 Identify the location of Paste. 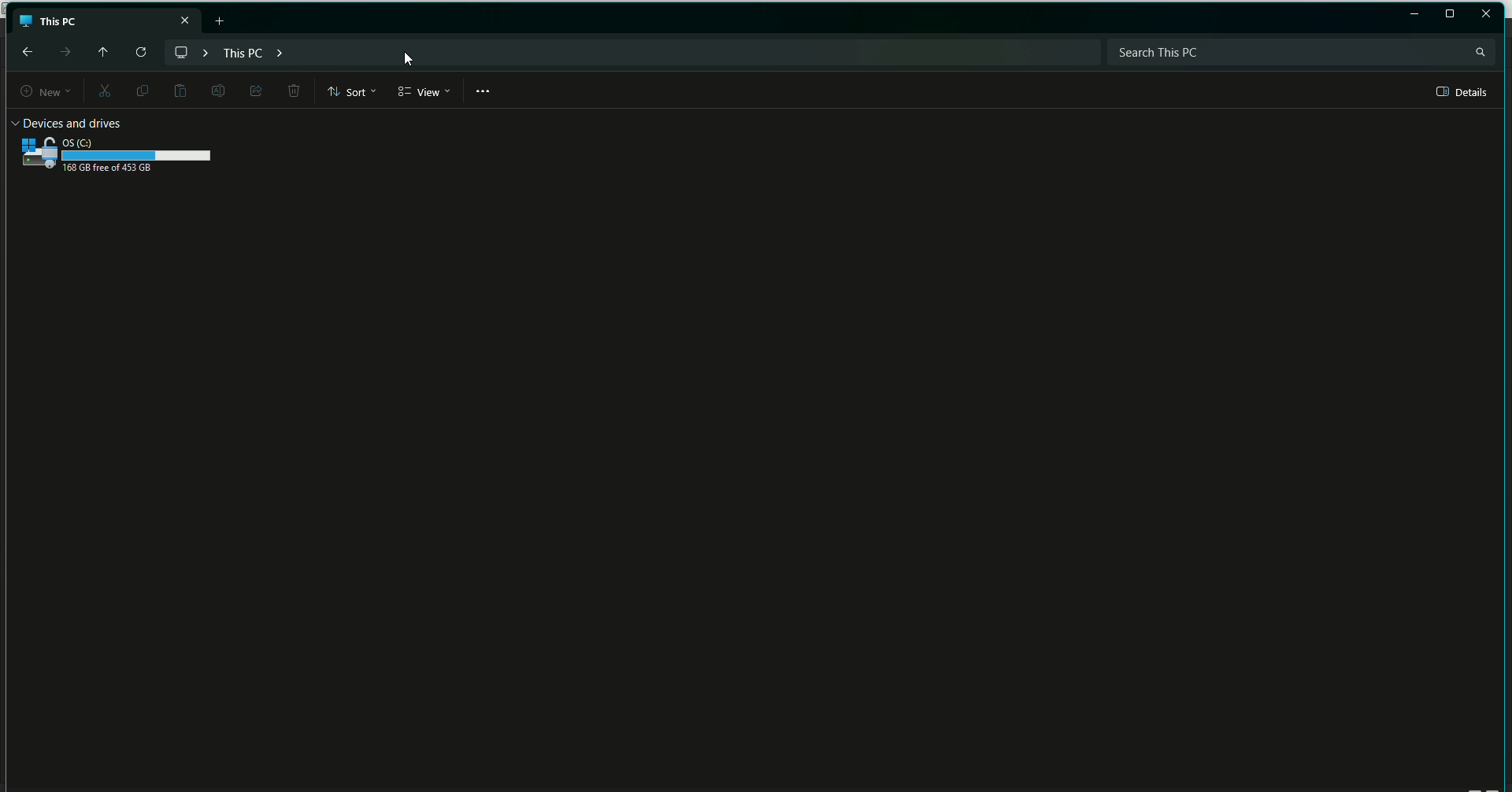
(180, 91).